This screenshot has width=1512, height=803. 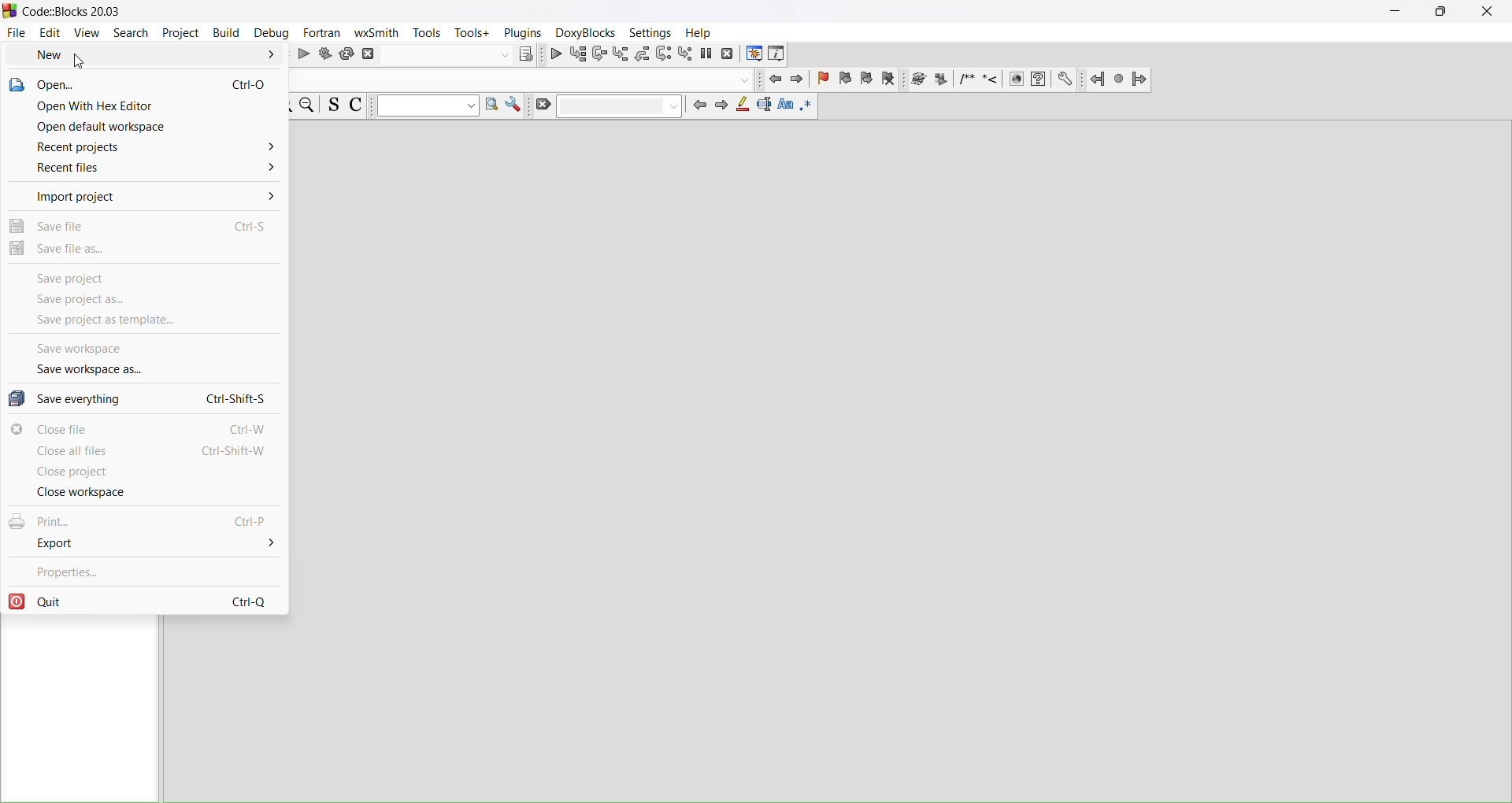 What do you see at coordinates (145, 346) in the screenshot?
I see `save workspace` at bounding box center [145, 346].